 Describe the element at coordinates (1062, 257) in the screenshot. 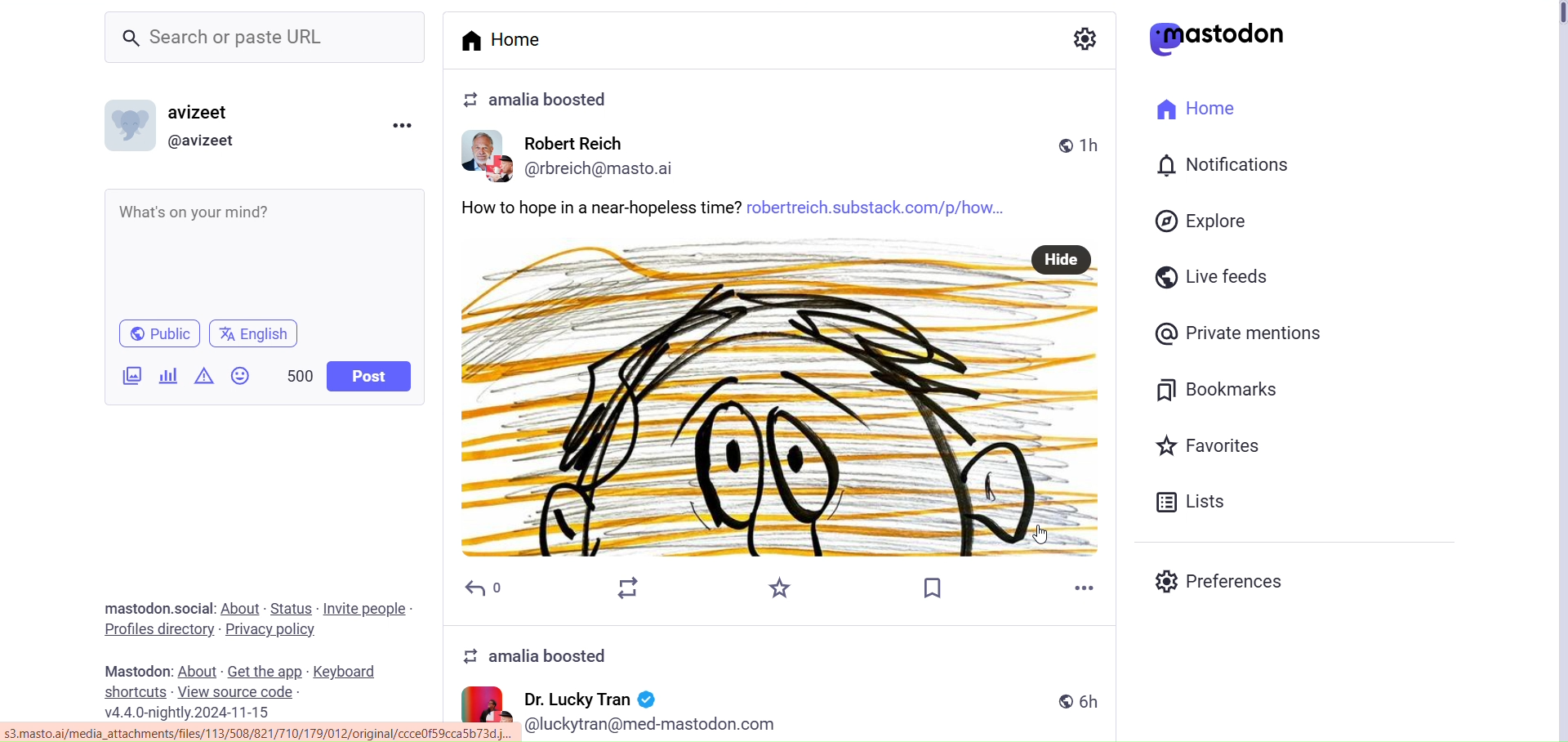

I see `hide` at that location.